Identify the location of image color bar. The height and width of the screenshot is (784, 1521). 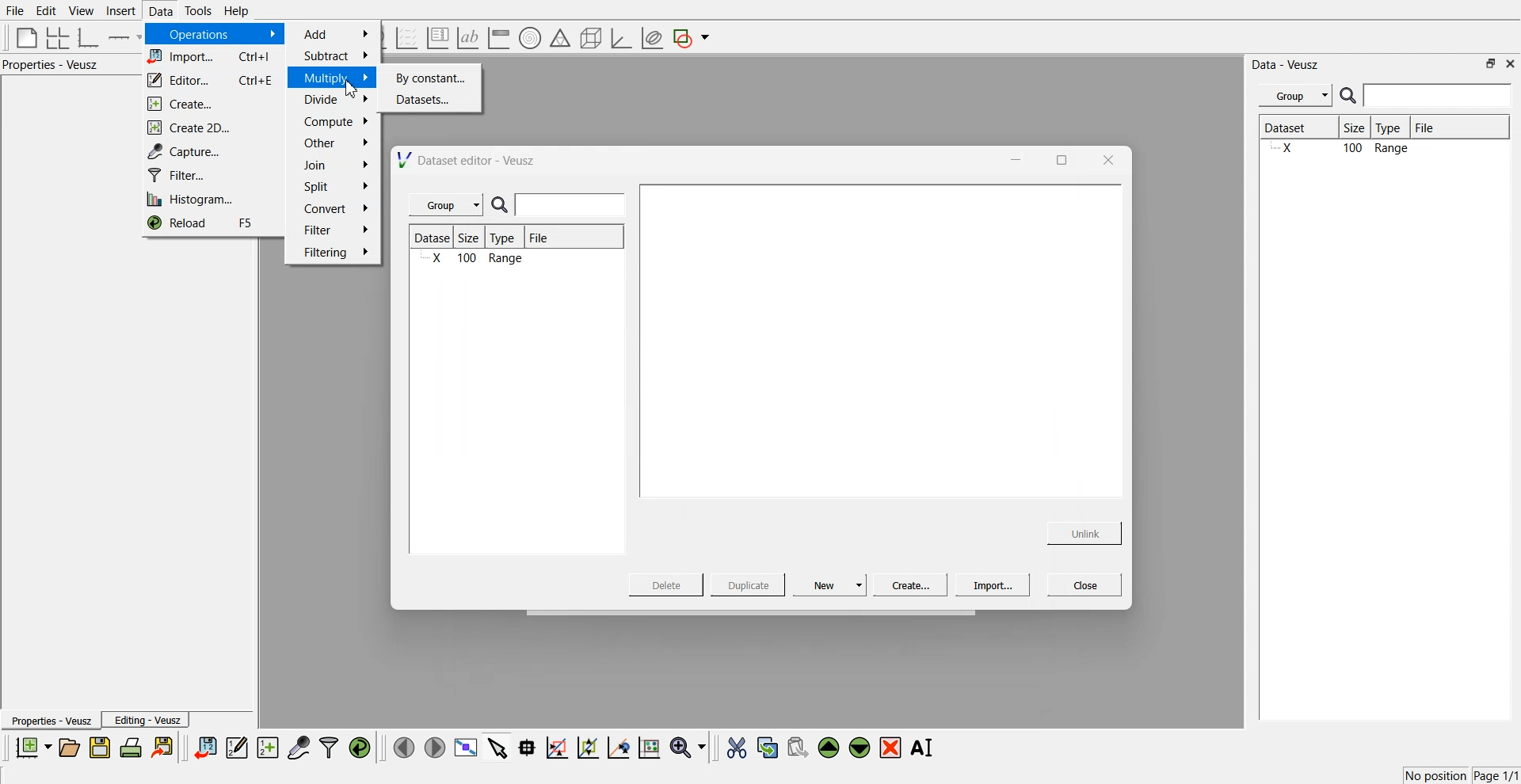
(498, 39).